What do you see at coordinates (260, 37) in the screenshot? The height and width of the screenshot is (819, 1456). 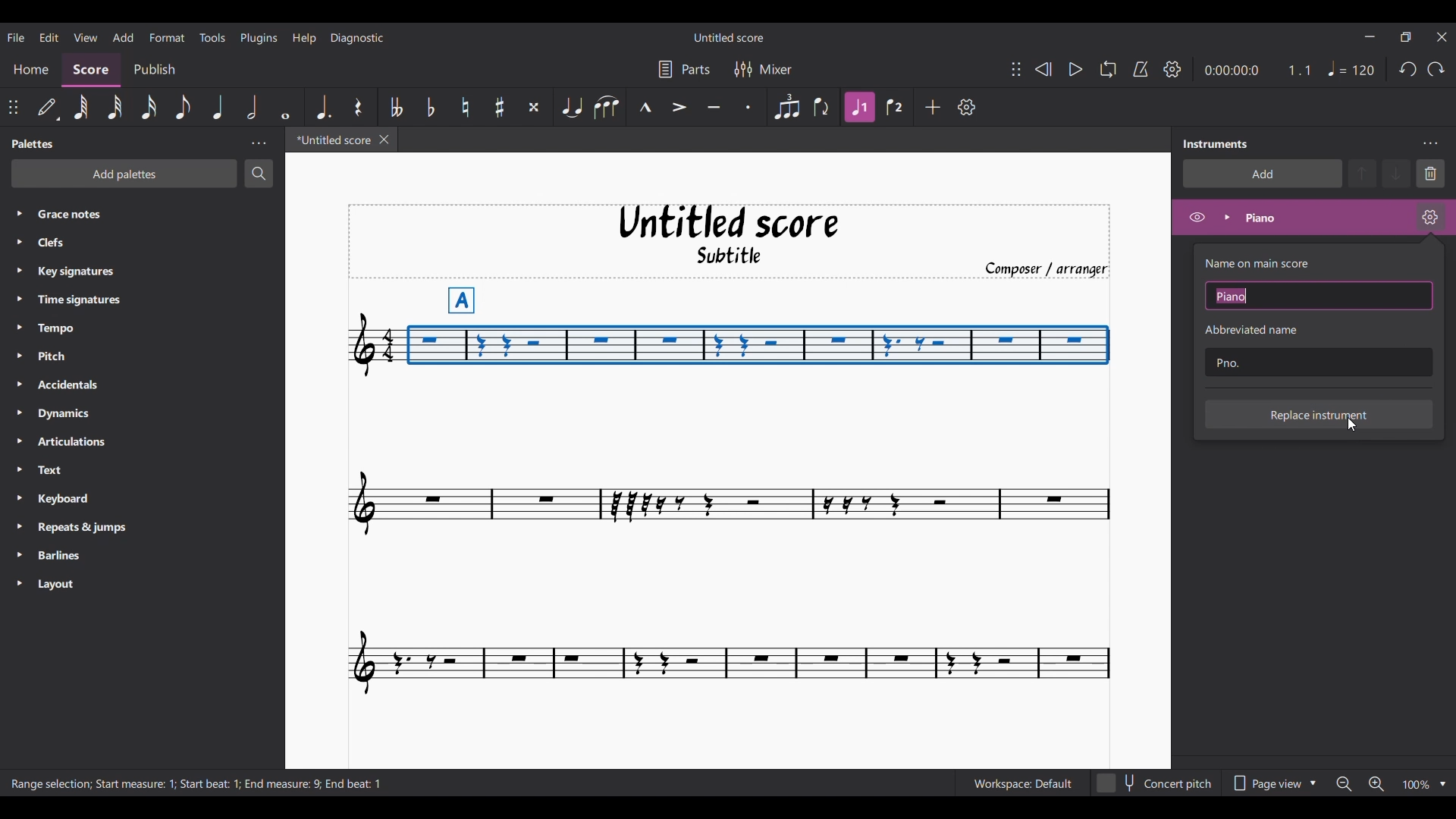 I see `Plugins menu` at bounding box center [260, 37].